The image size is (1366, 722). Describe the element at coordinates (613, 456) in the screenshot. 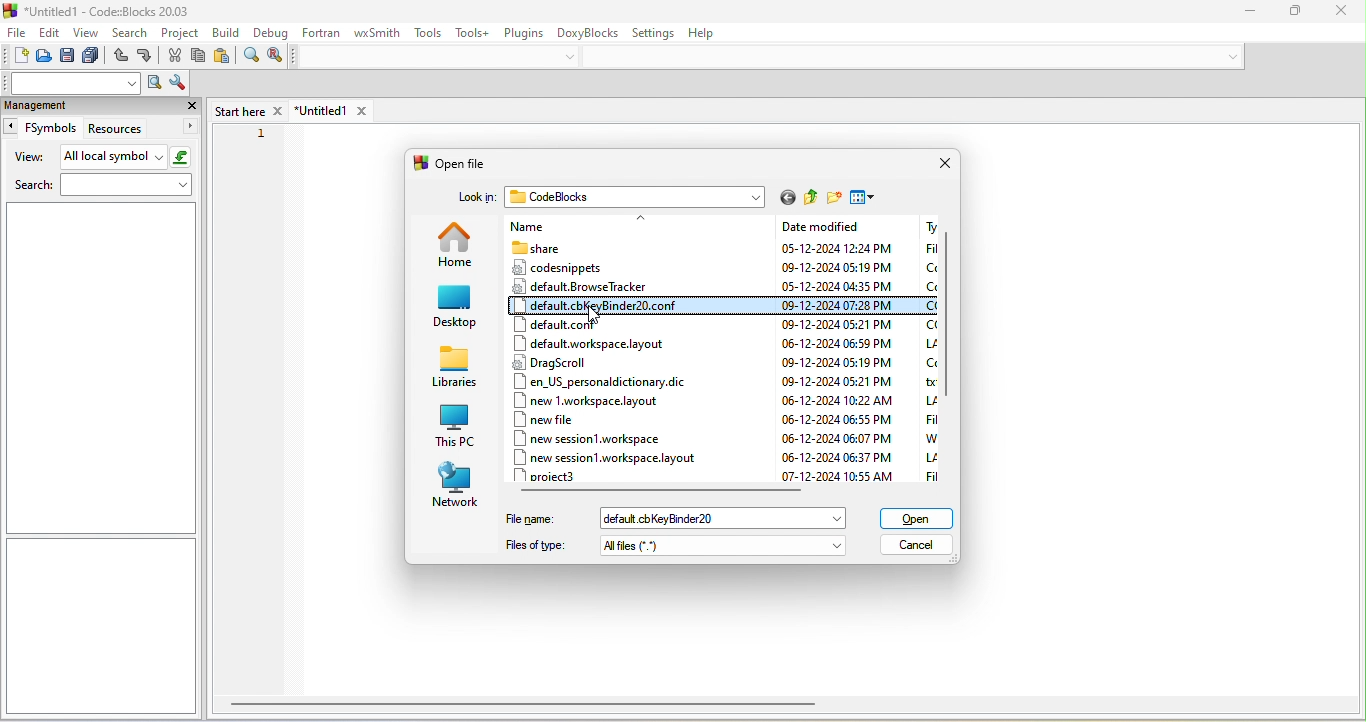

I see `new session workspace layout` at that location.